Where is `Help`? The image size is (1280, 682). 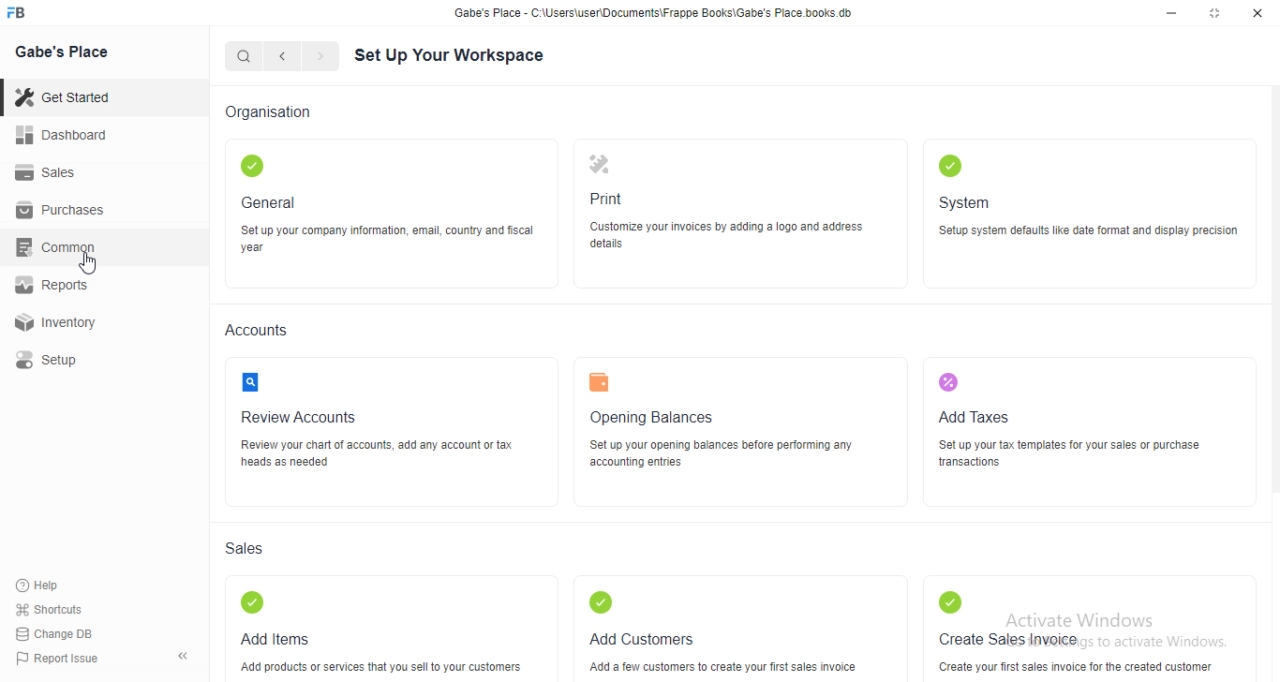
Help is located at coordinates (41, 585).